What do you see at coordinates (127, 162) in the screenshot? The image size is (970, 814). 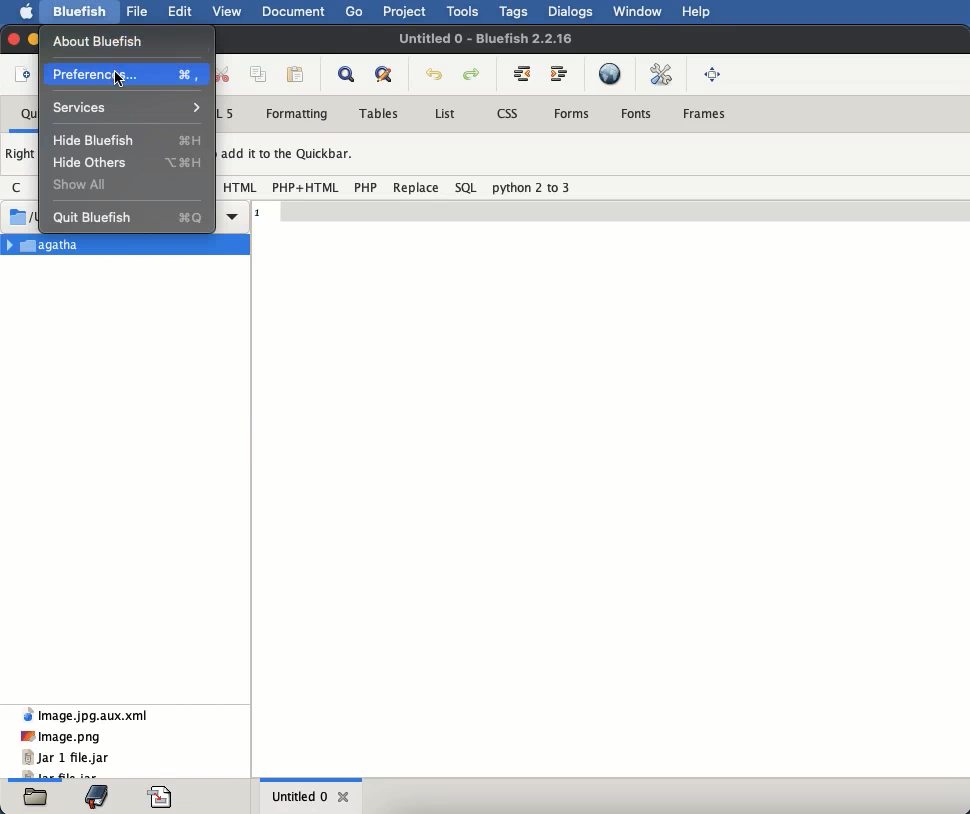 I see `hide others` at bounding box center [127, 162].